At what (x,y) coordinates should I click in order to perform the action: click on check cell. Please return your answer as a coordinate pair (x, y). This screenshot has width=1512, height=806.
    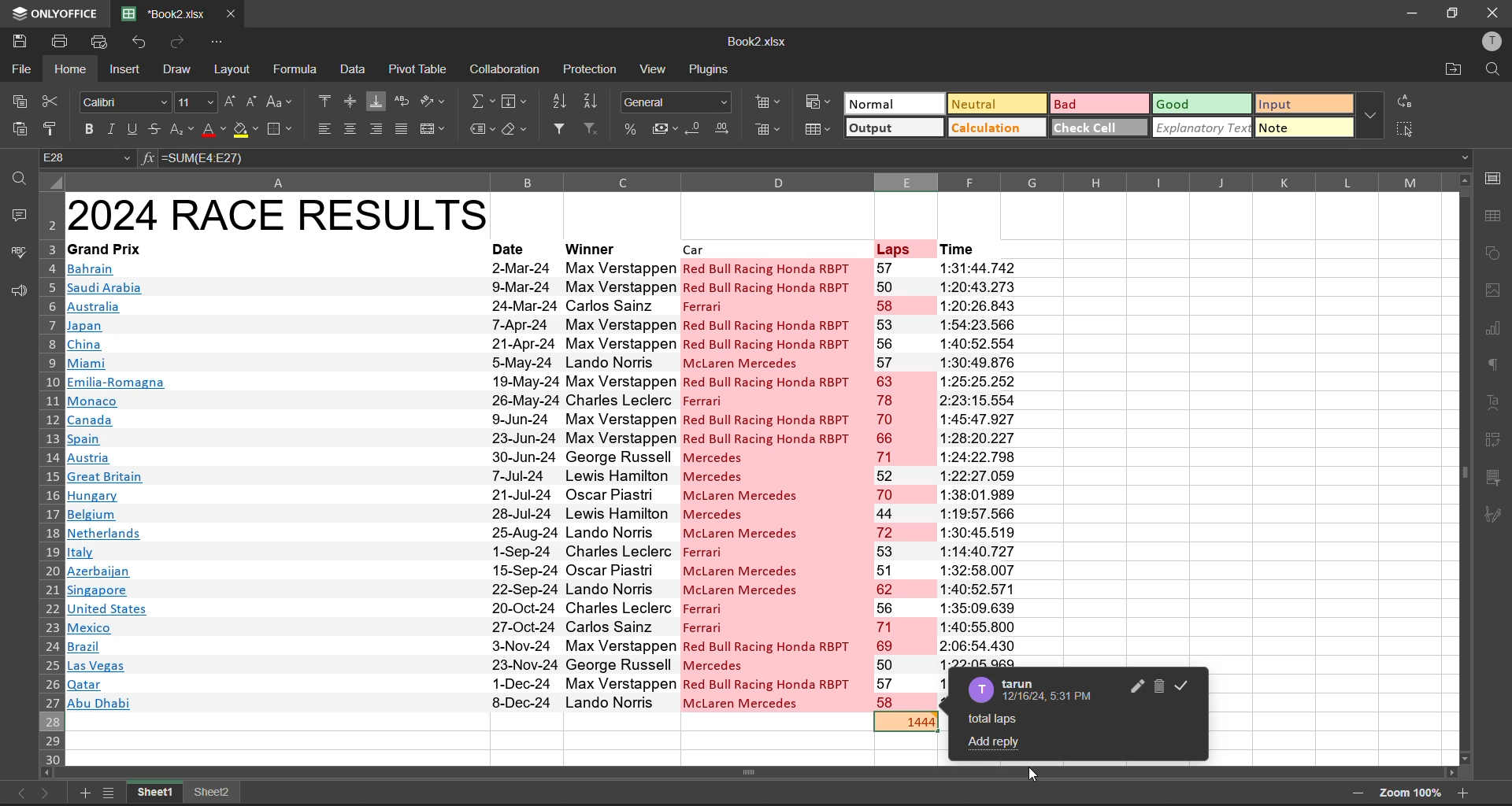
    Looking at the image, I should click on (1100, 128).